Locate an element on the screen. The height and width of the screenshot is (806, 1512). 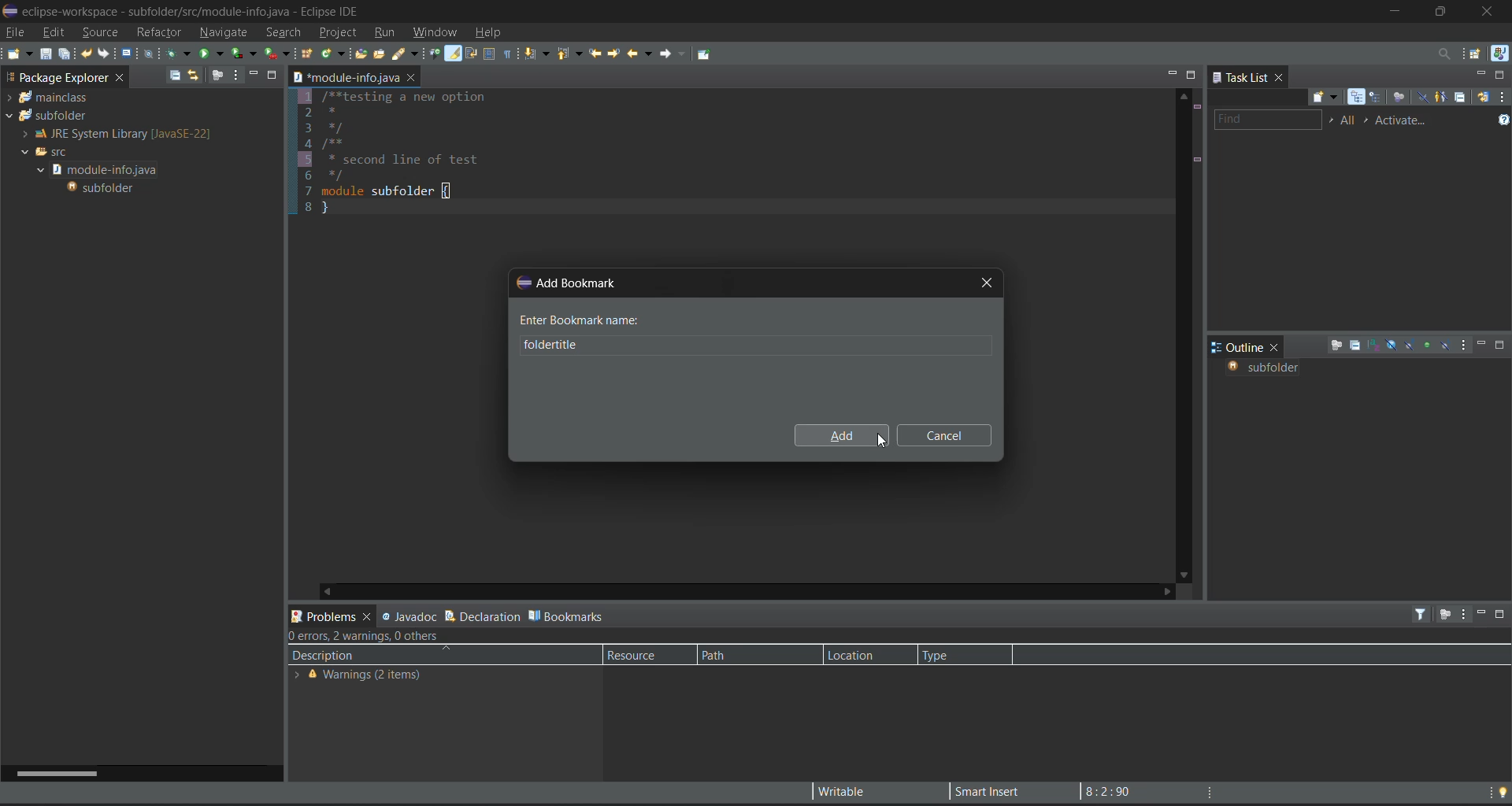
focus on active task is located at coordinates (219, 74).